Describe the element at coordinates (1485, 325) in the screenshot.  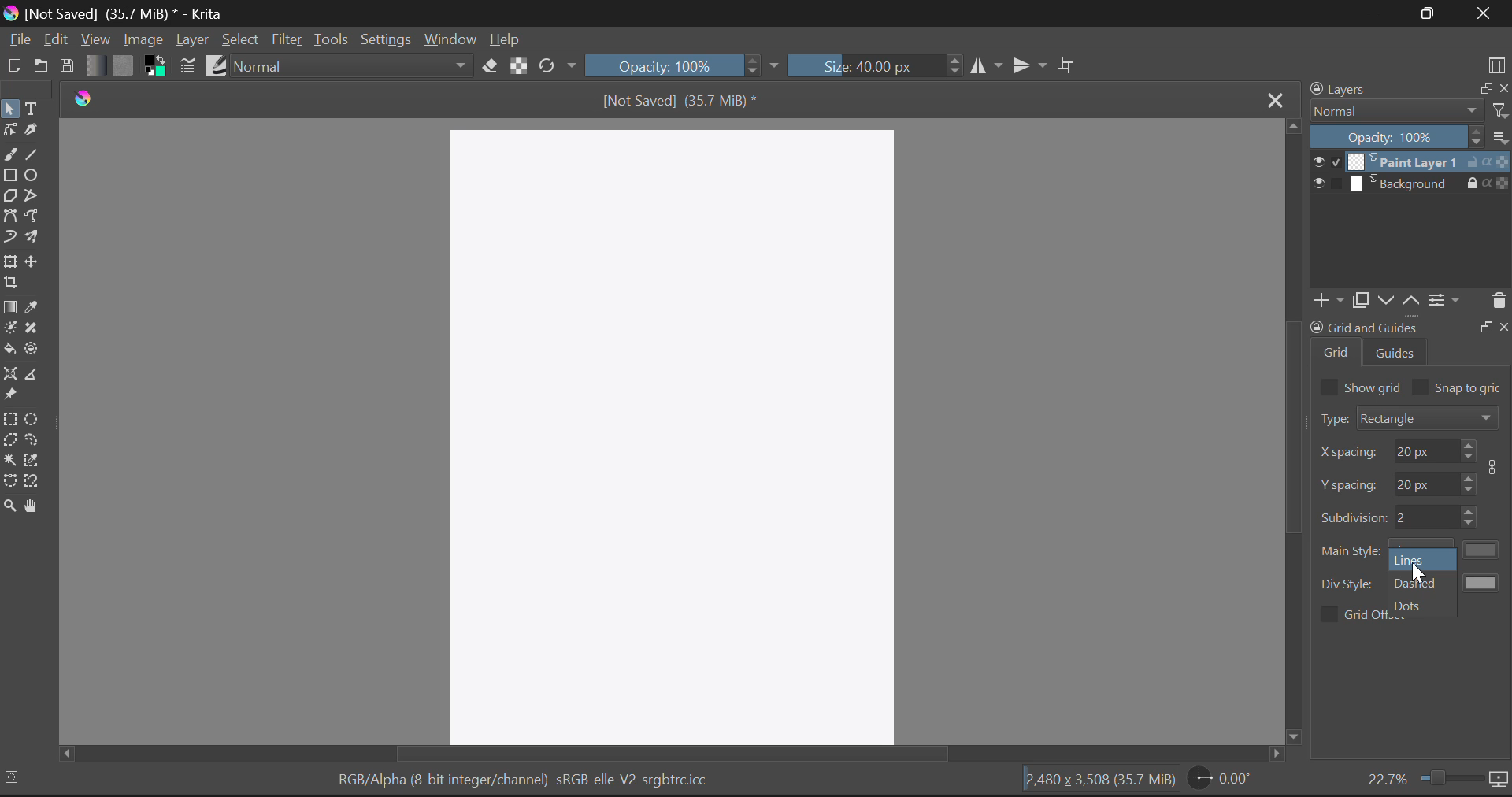
I see `` at that location.